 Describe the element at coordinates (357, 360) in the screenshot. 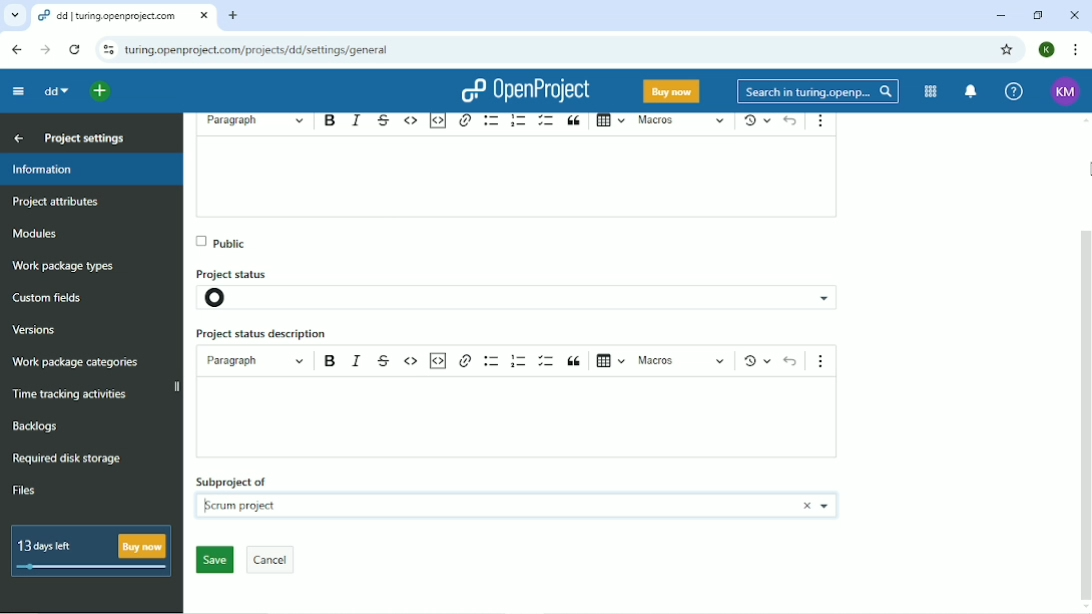

I see `Italic` at that location.